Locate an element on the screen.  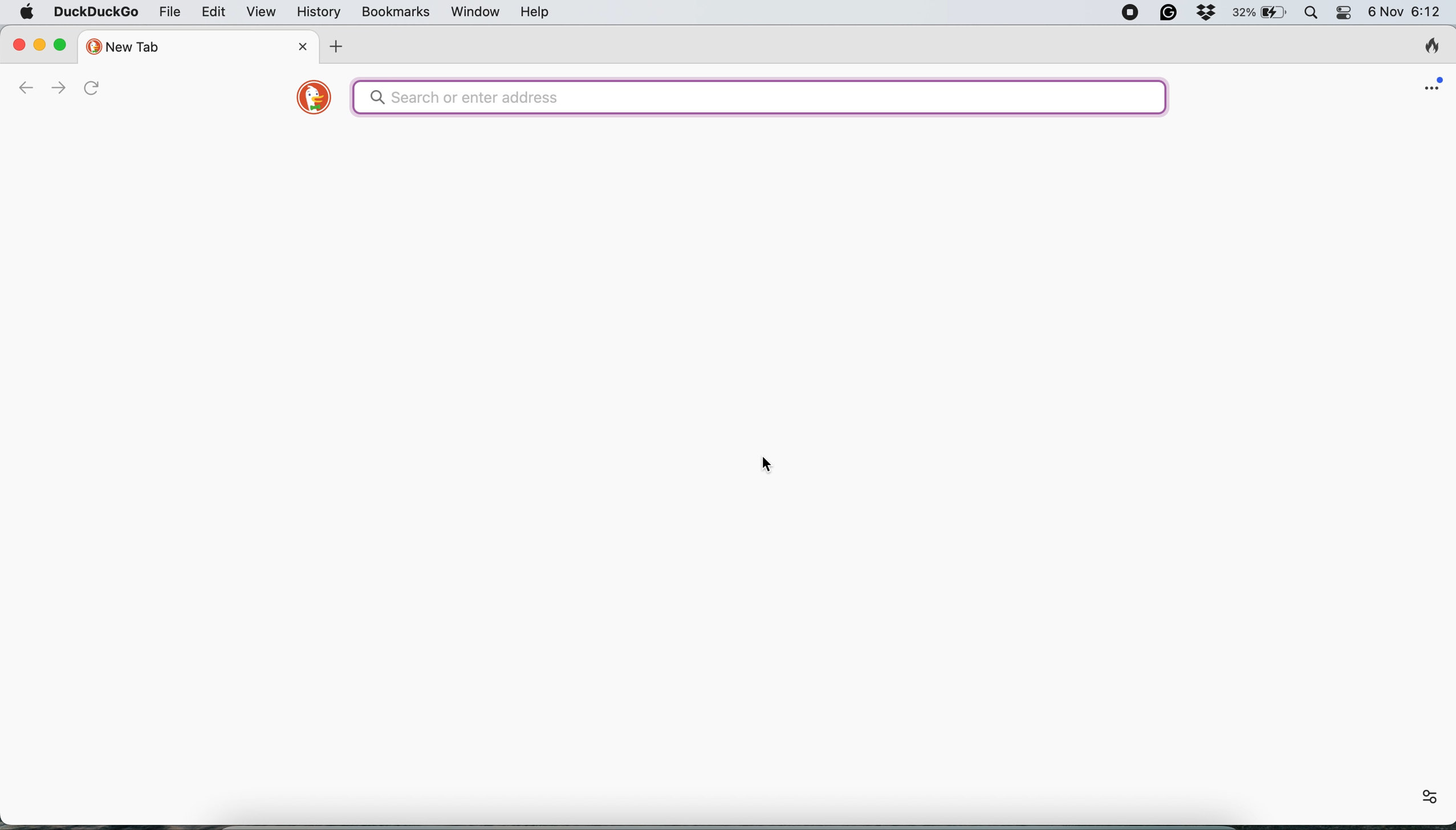
add new tab is located at coordinates (332, 47).